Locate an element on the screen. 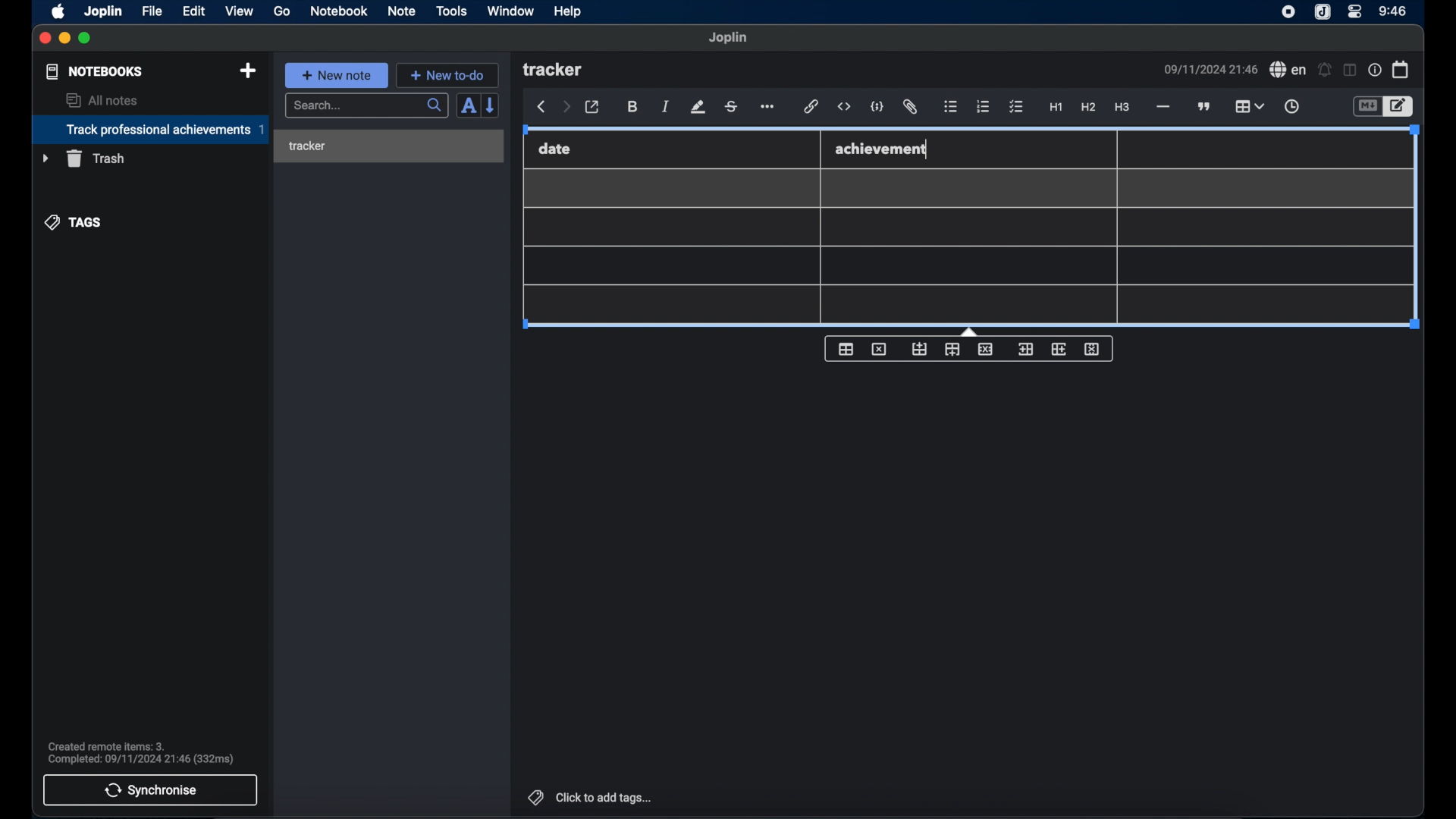 This screenshot has height=819, width=1456. hyperlink is located at coordinates (811, 107).